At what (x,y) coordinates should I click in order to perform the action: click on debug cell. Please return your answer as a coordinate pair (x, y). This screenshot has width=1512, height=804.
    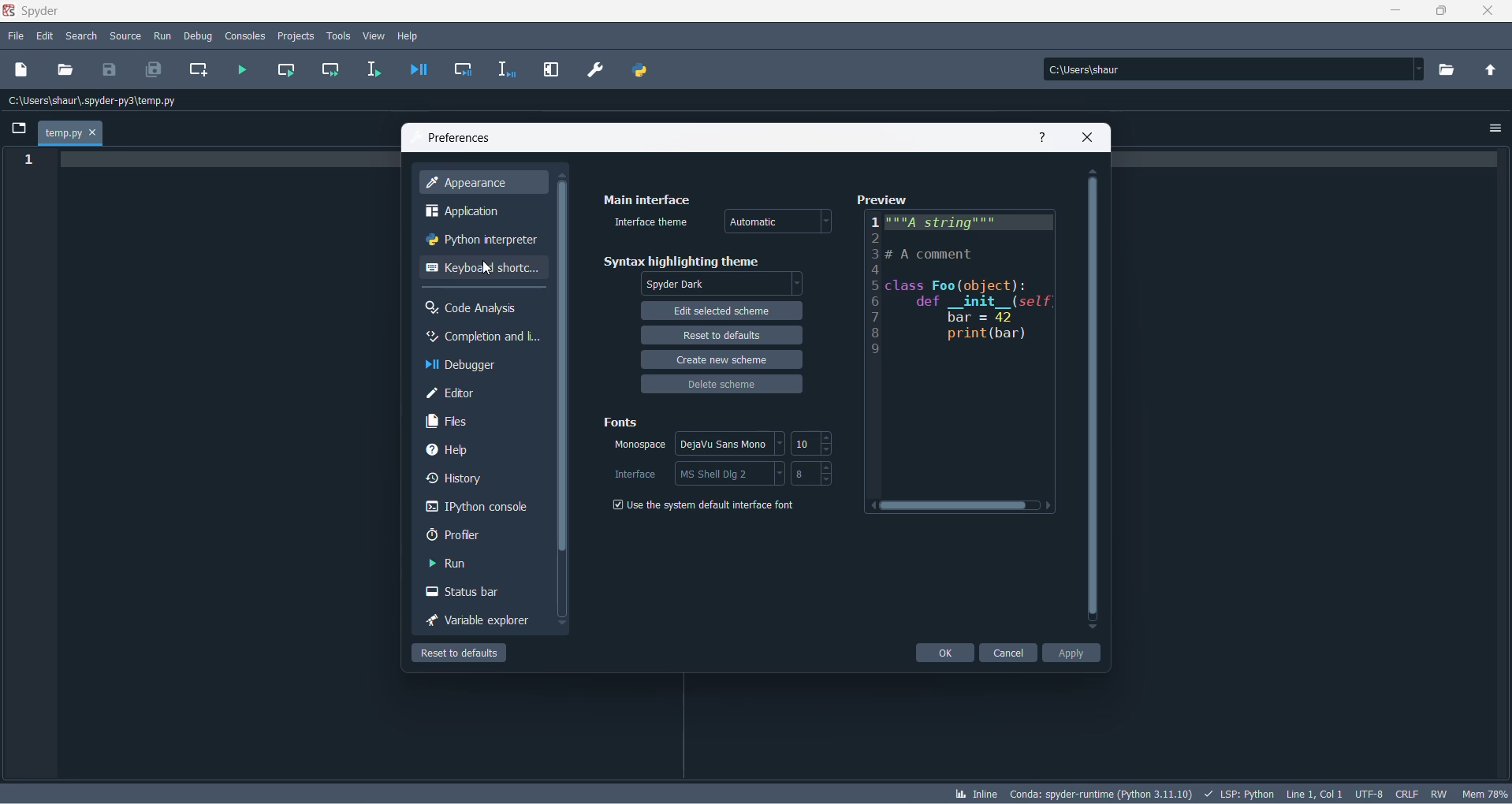
    Looking at the image, I should click on (464, 71).